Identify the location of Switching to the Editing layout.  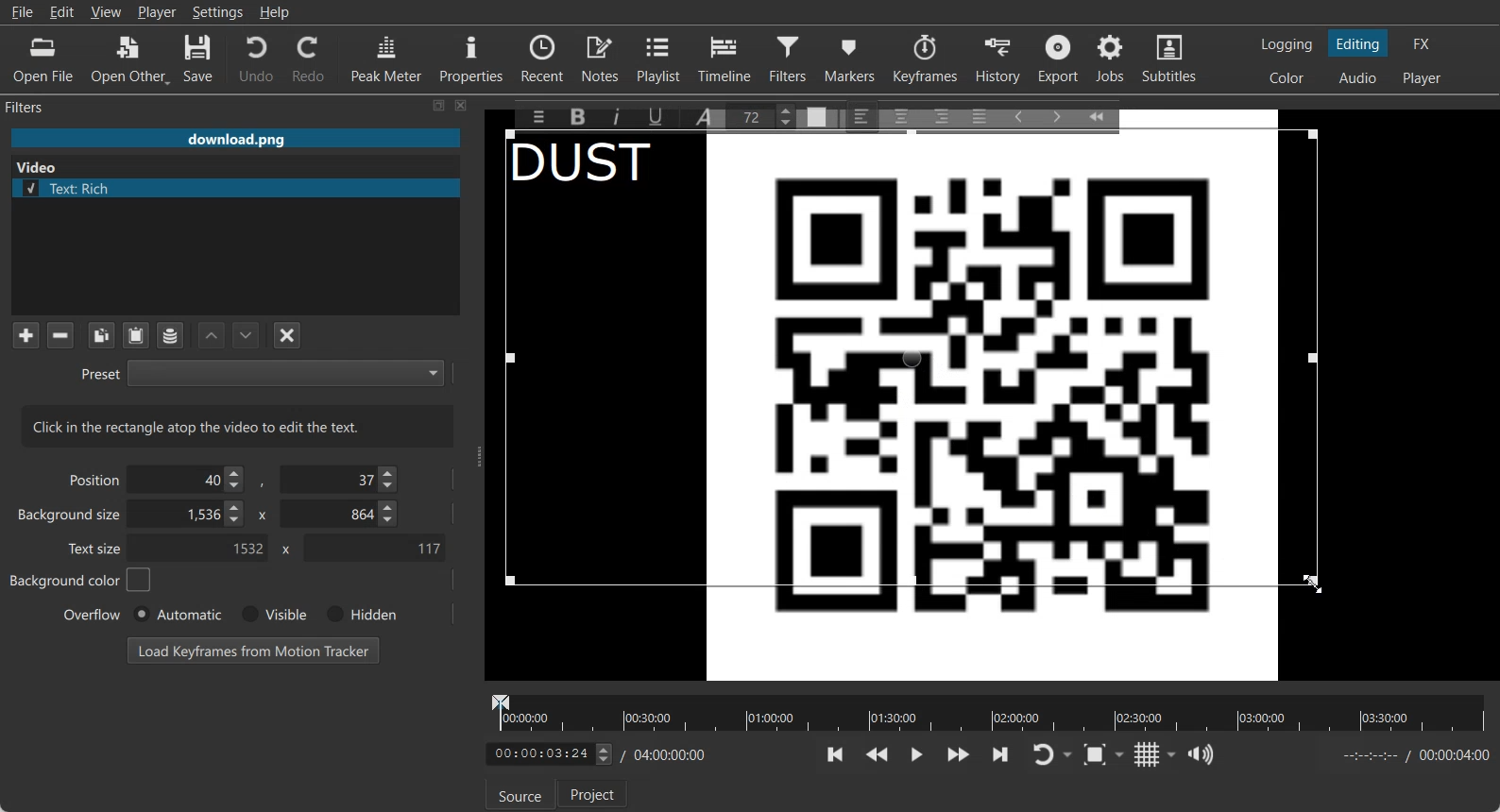
(1358, 44).